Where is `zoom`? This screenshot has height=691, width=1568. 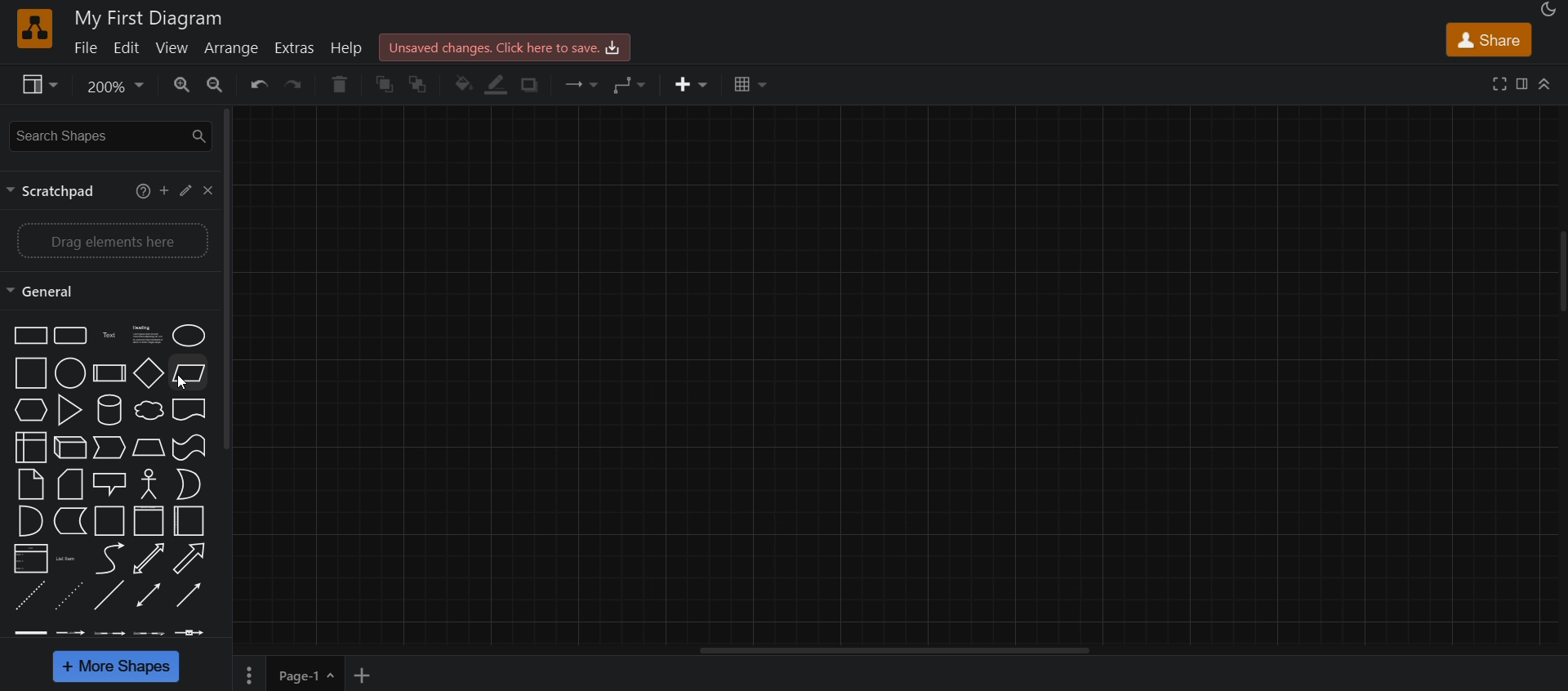 zoom is located at coordinates (118, 87).